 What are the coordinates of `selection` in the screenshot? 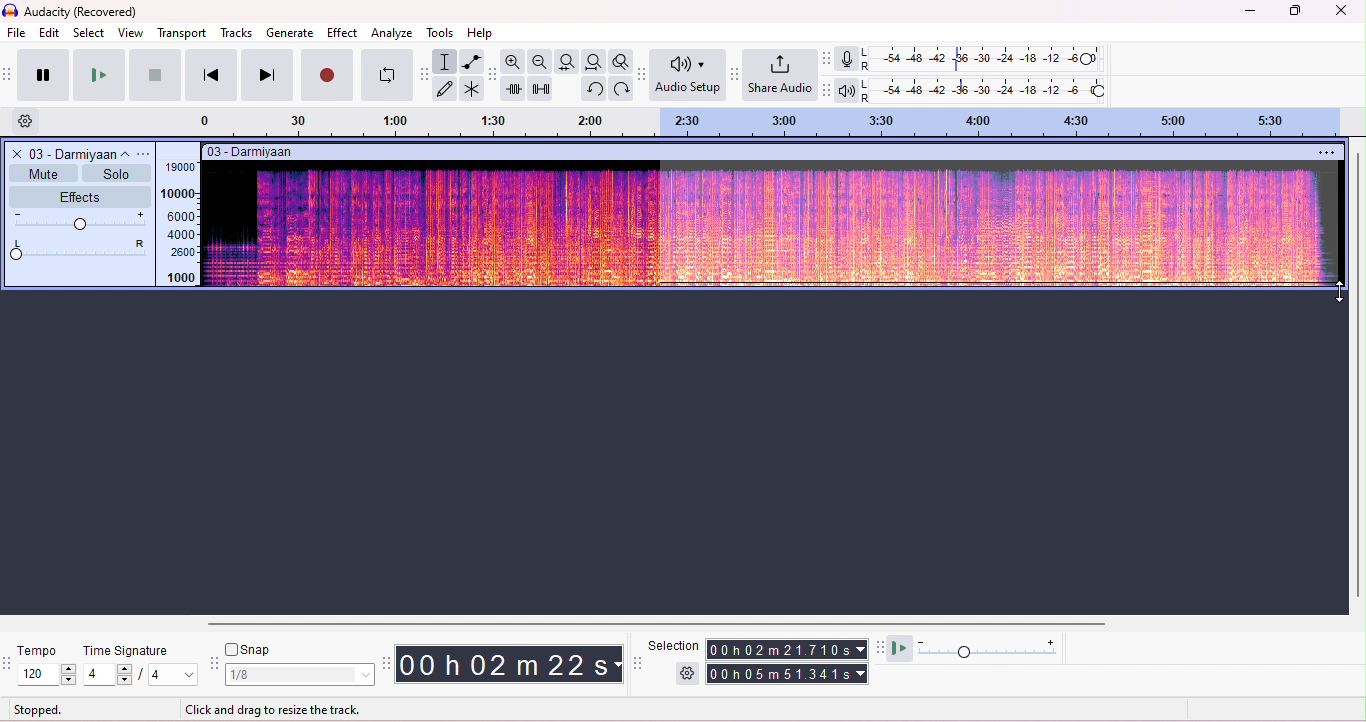 It's located at (446, 61).